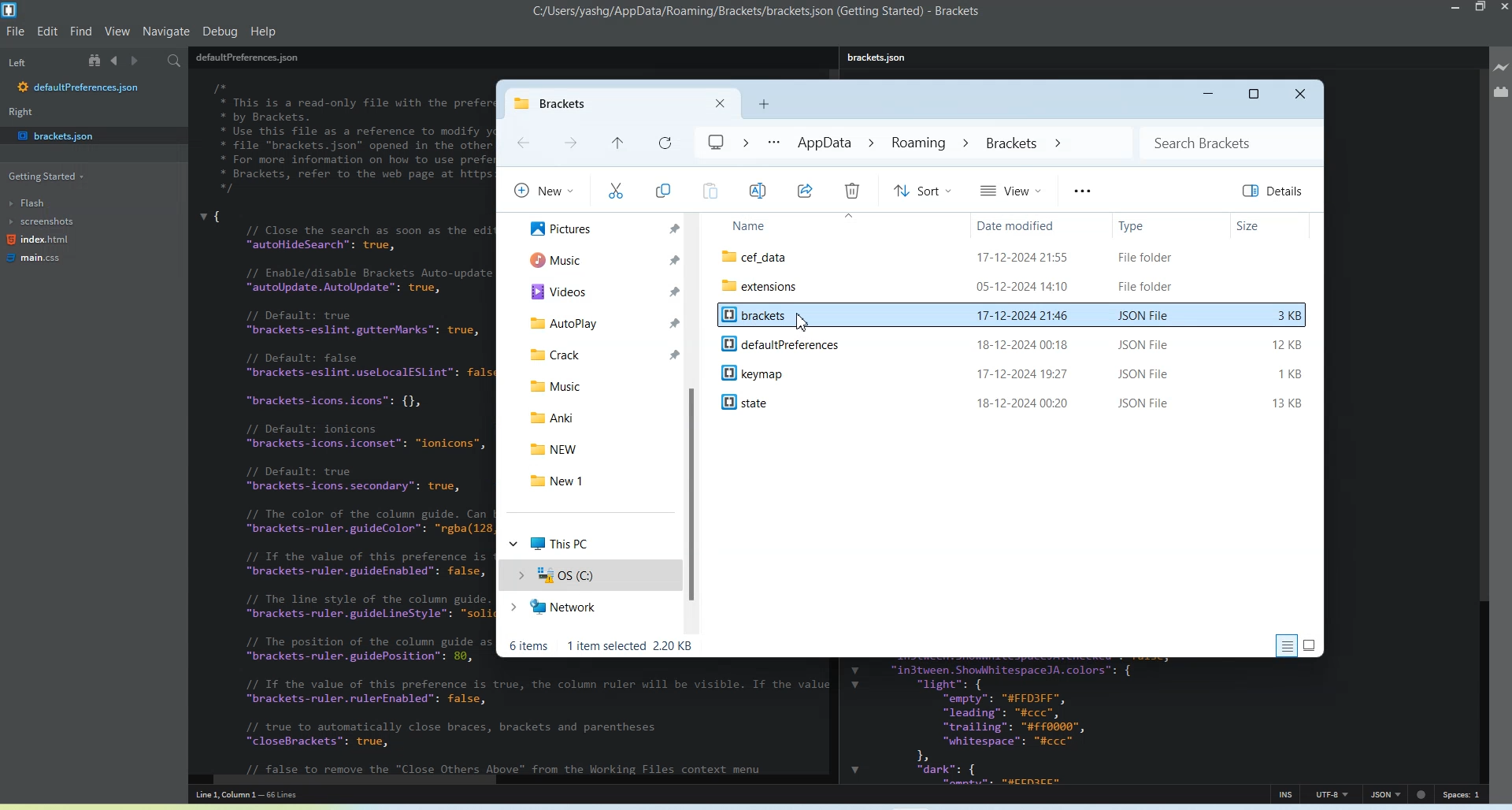 The image size is (1512, 810). I want to click on INS, so click(1286, 793).